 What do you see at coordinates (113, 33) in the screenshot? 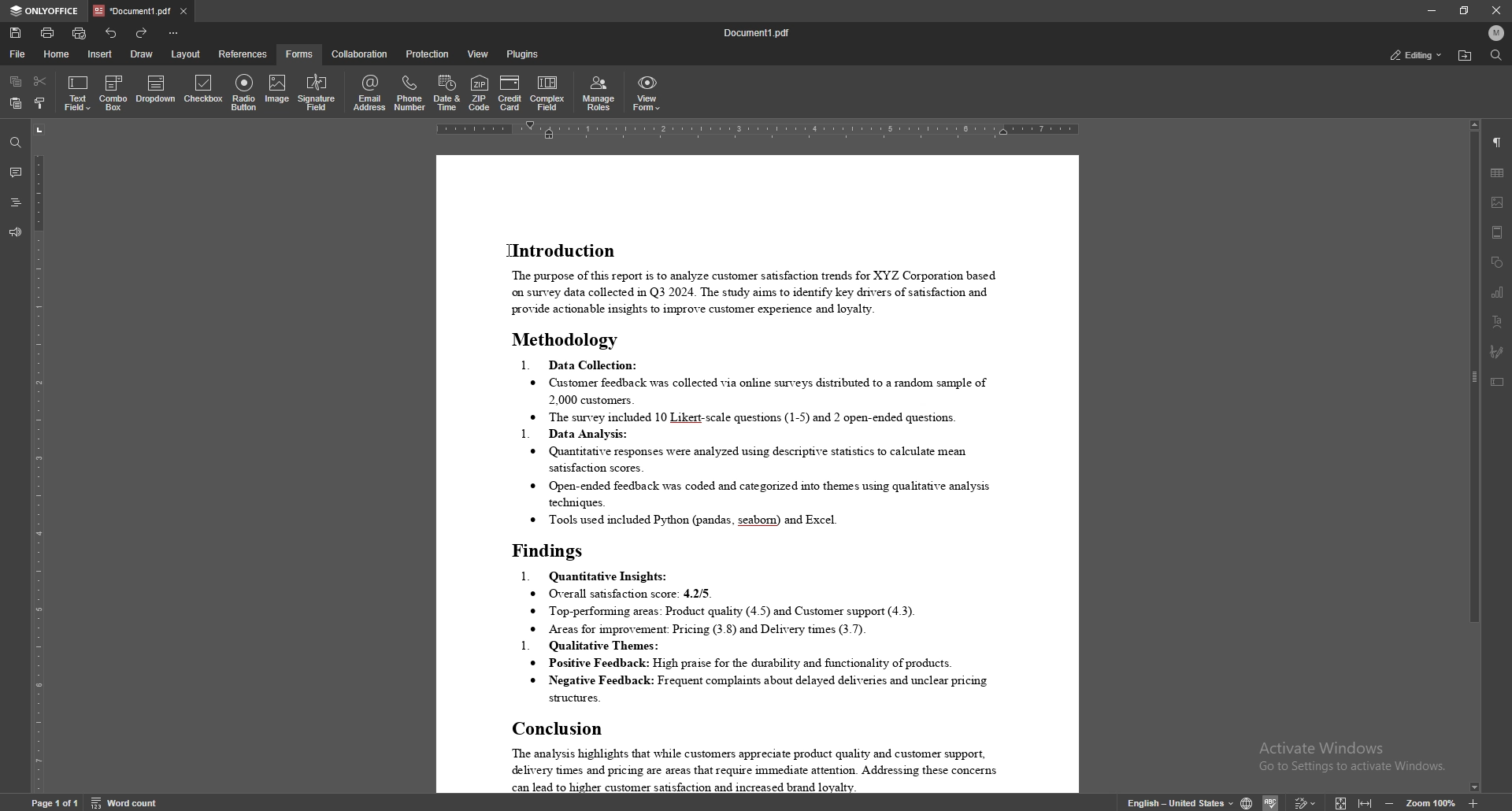
I see `undo` at bounding box center [113, 33].